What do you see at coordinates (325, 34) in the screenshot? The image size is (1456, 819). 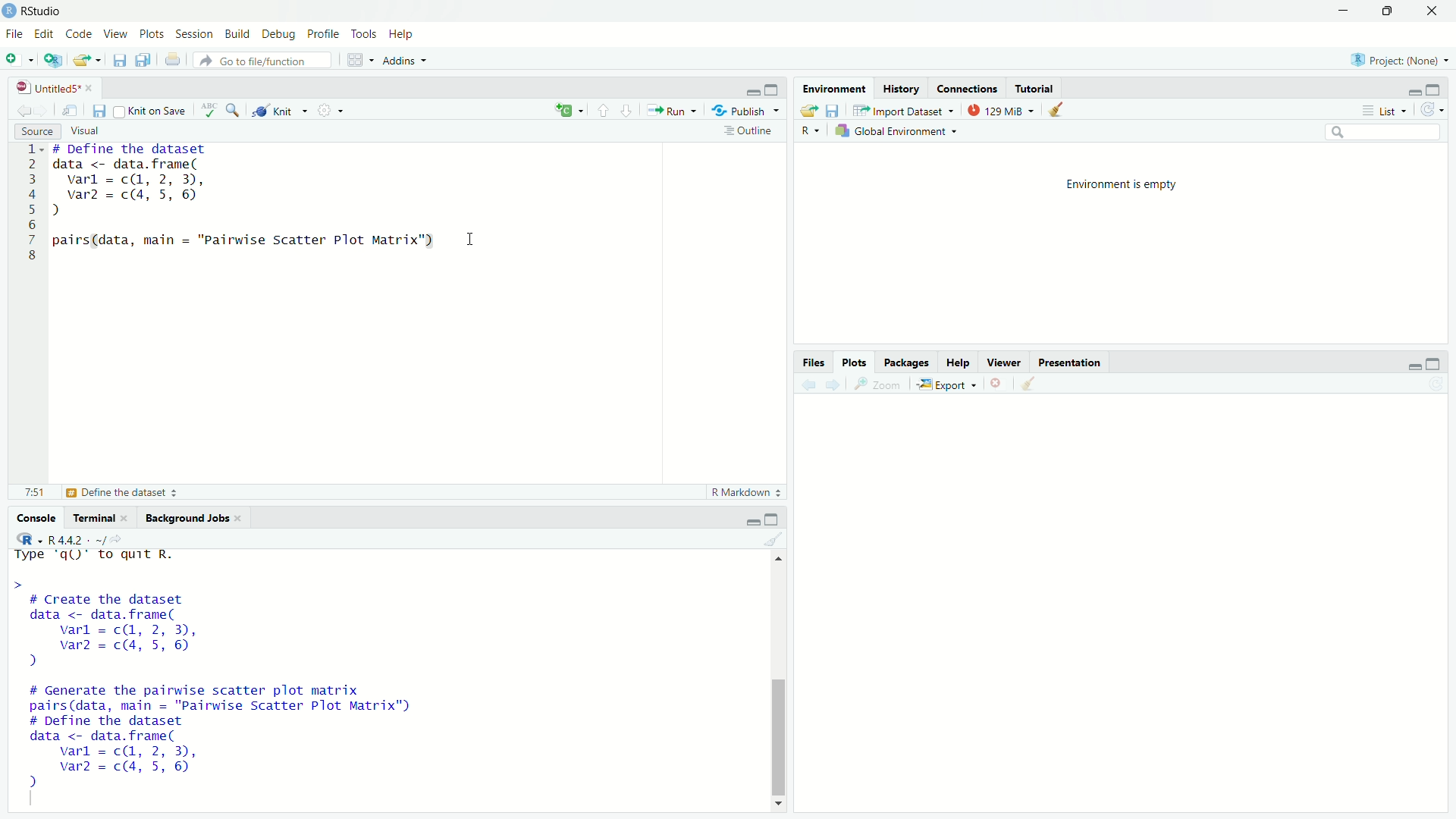 I see `Profile` at bounding box center [325, 34].